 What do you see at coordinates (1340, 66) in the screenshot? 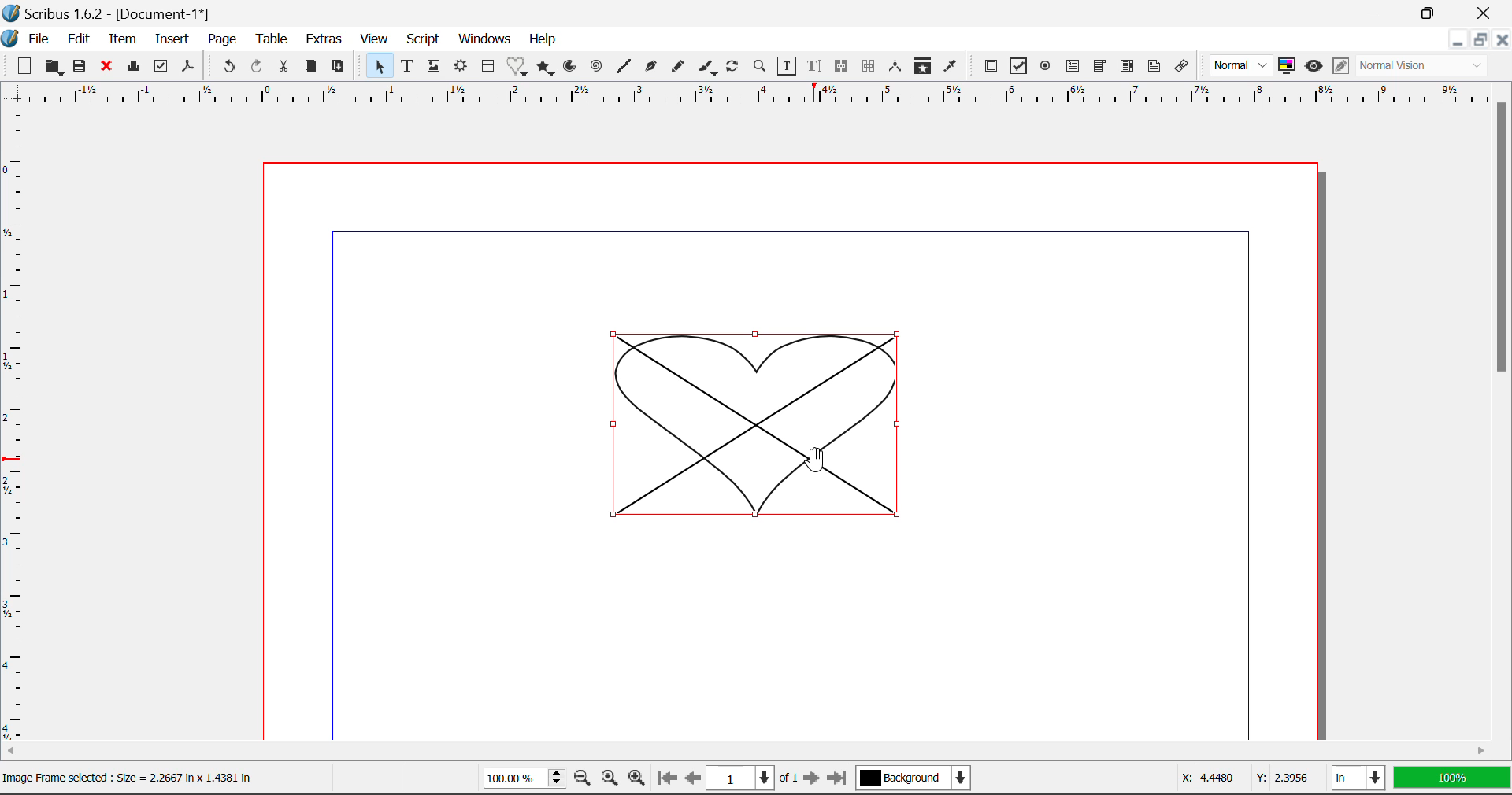
I see `Edit in Preview Mode` at bounding box center [1340, 66].